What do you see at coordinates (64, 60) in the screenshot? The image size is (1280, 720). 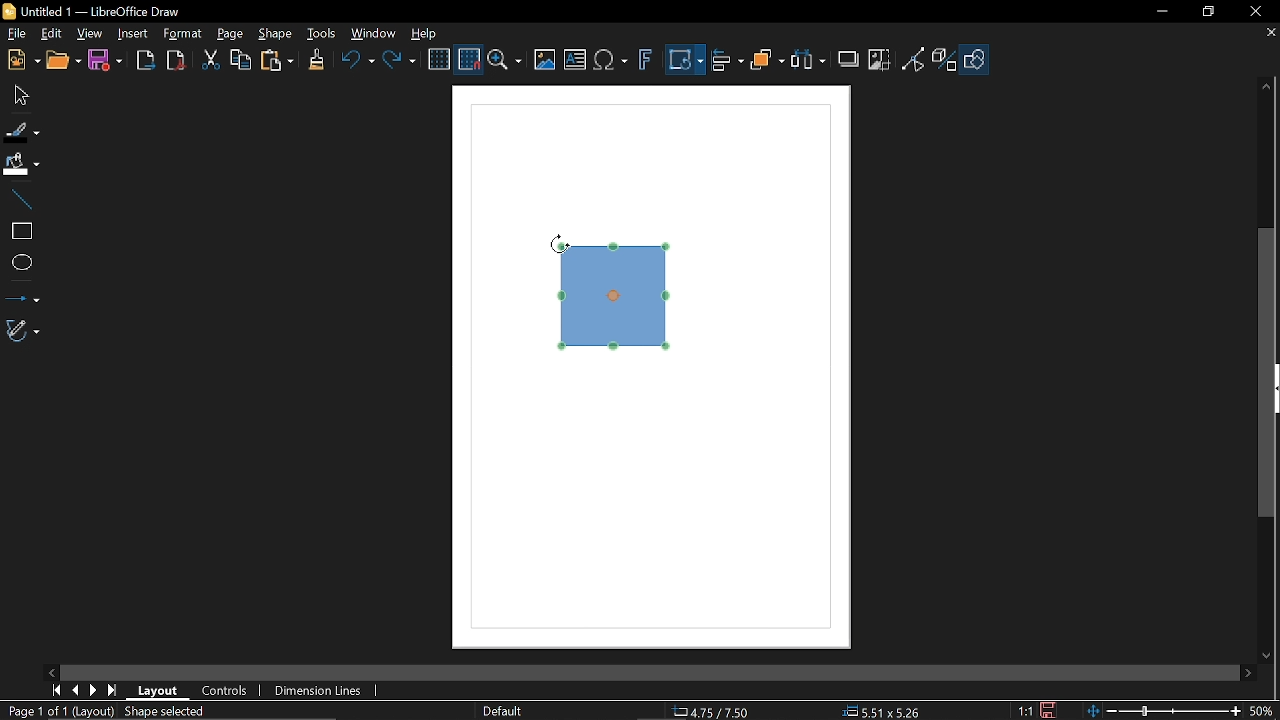 I see `Open` at bounding box center [64, 60].